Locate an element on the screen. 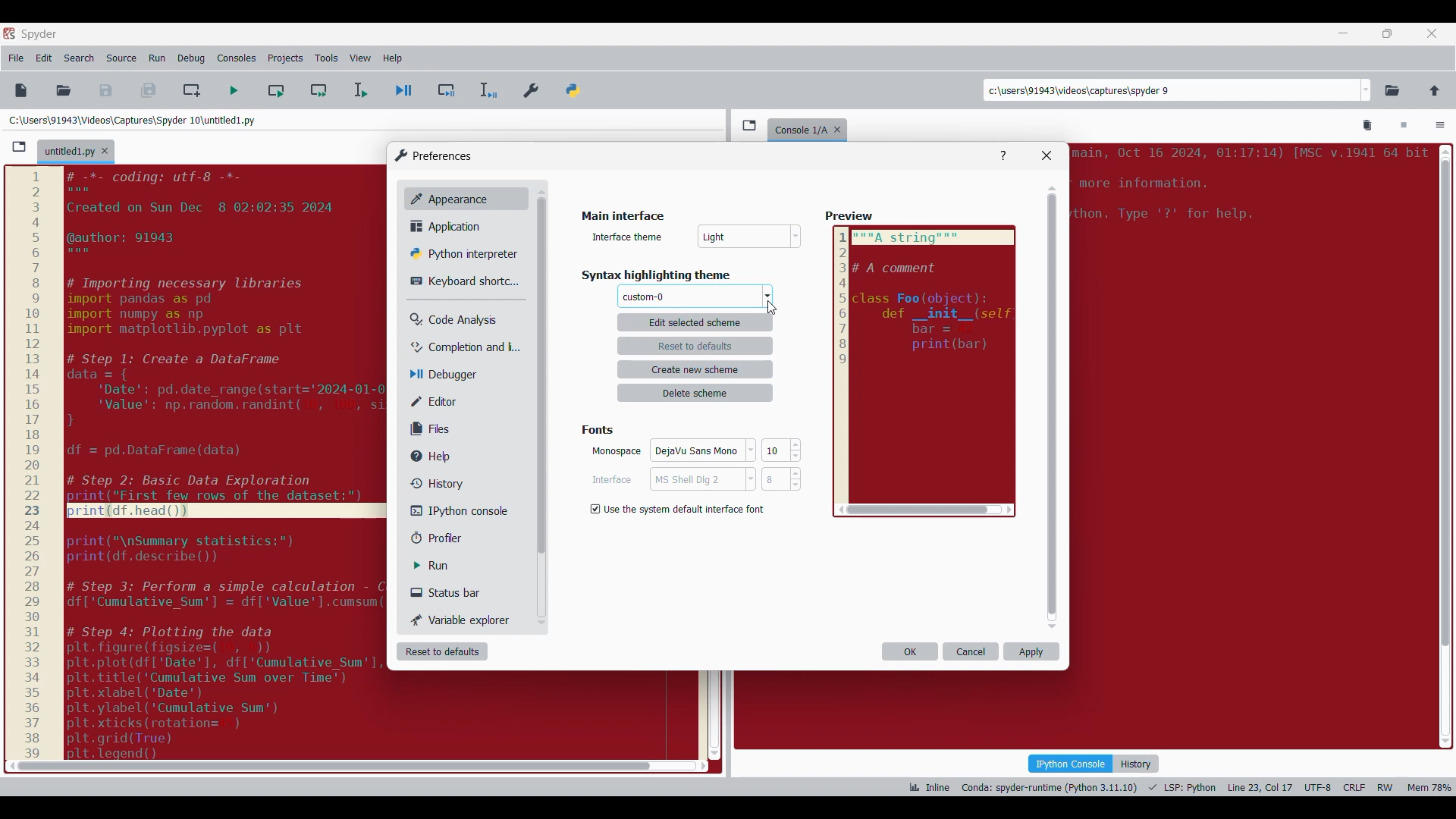 The image size is (1456, 819). code is located at coordinates (227, 461).